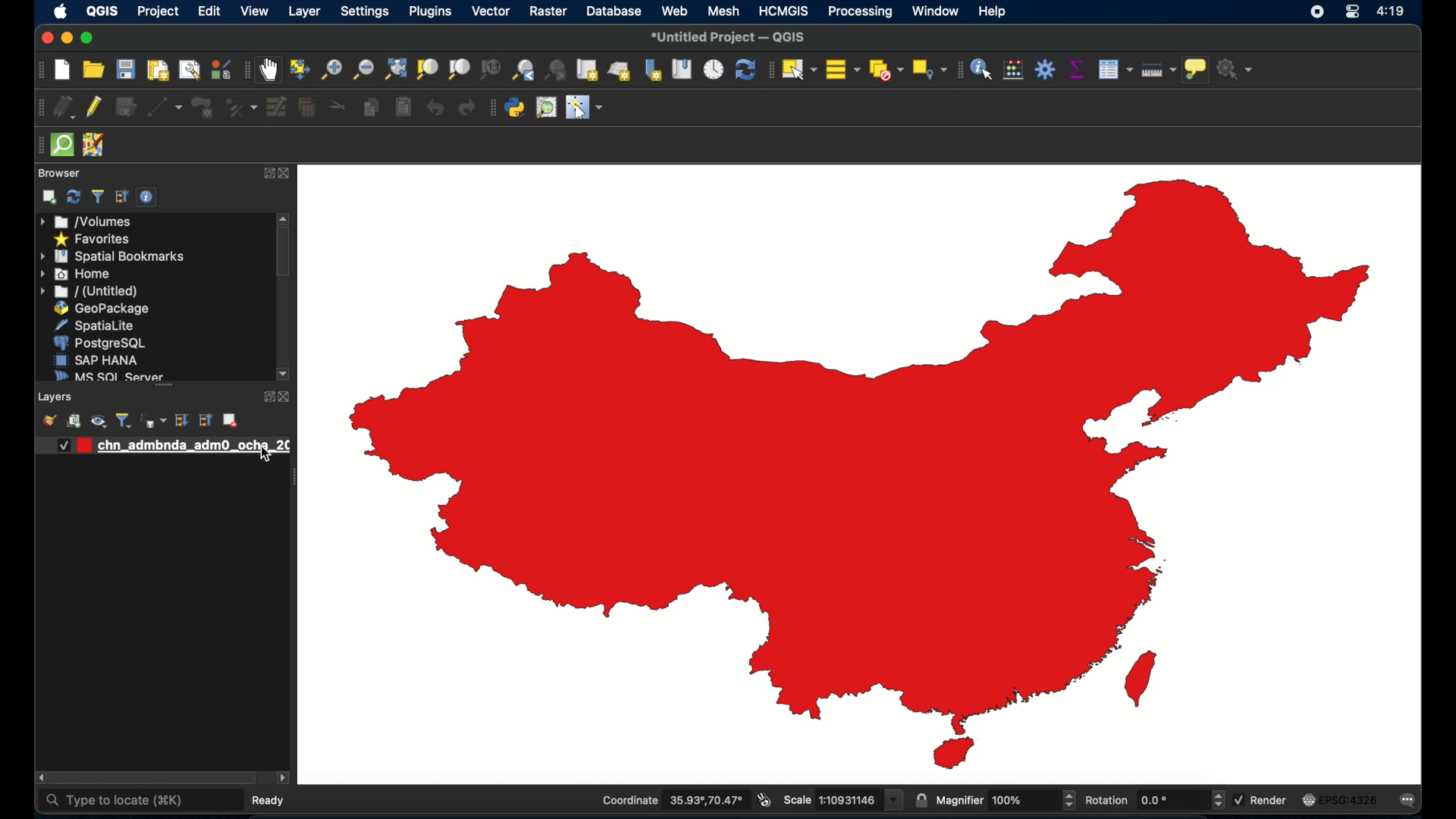  What do you see at coordinates (491, 106) in the screenshot?
I see `plugins toolbar` at bounding box center [491, 106].